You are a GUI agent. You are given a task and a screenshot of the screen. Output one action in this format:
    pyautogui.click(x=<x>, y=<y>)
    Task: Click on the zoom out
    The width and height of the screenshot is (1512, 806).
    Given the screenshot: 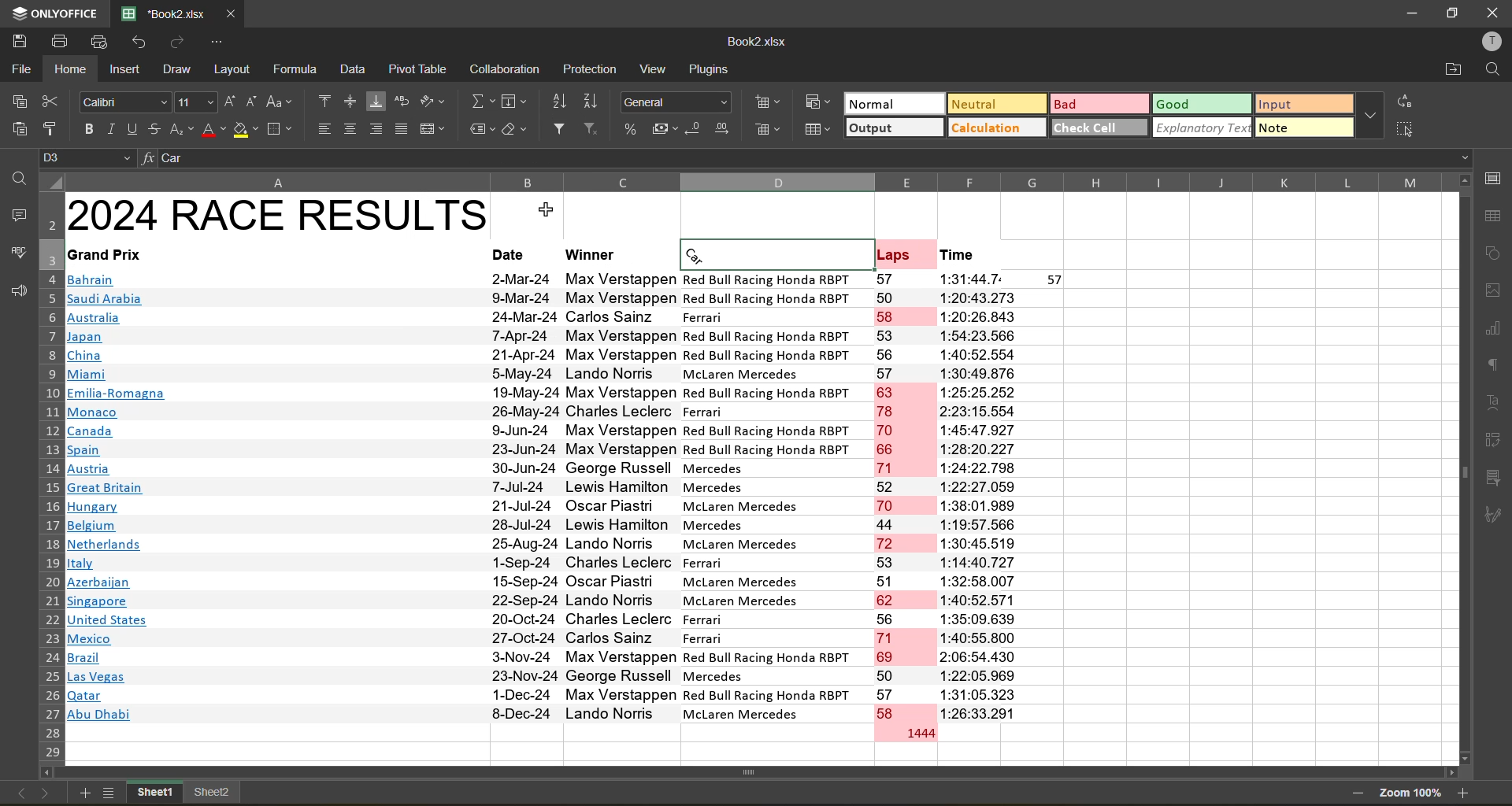 What is the action you would take?
    pyautogui.click(x=1355, y=792)
    